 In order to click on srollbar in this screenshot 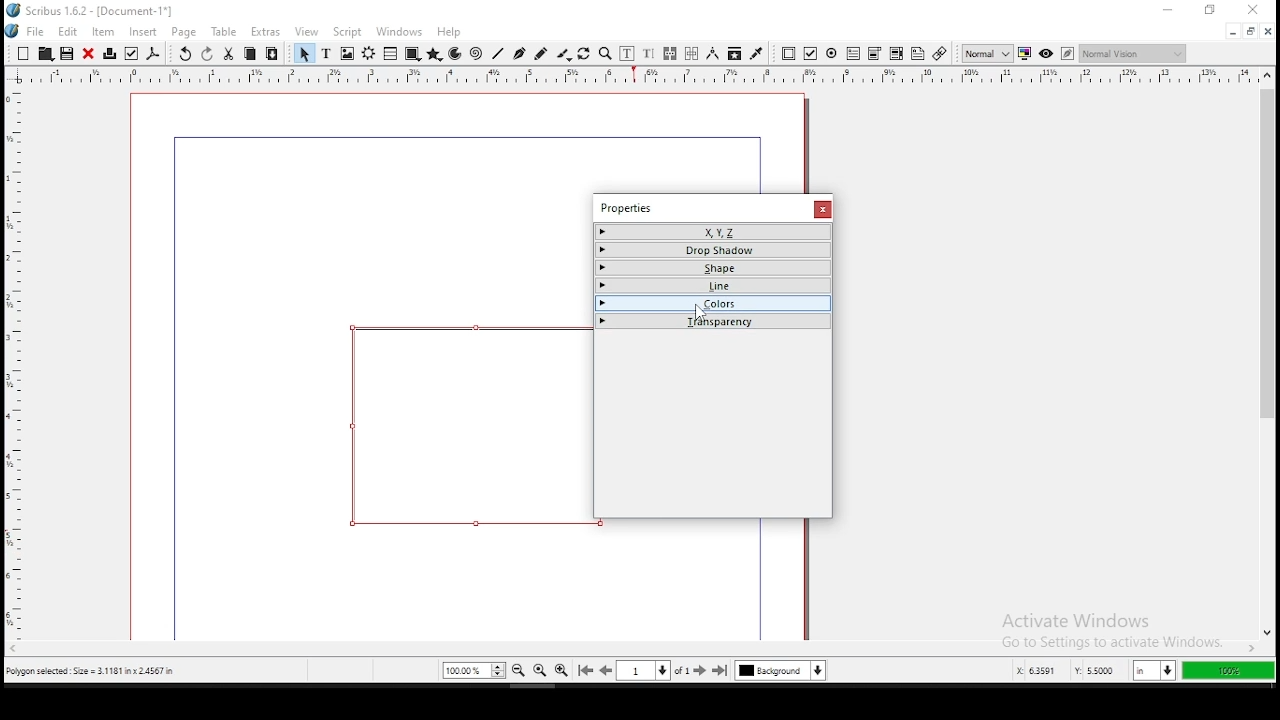, I will do `click(810, 143)`.